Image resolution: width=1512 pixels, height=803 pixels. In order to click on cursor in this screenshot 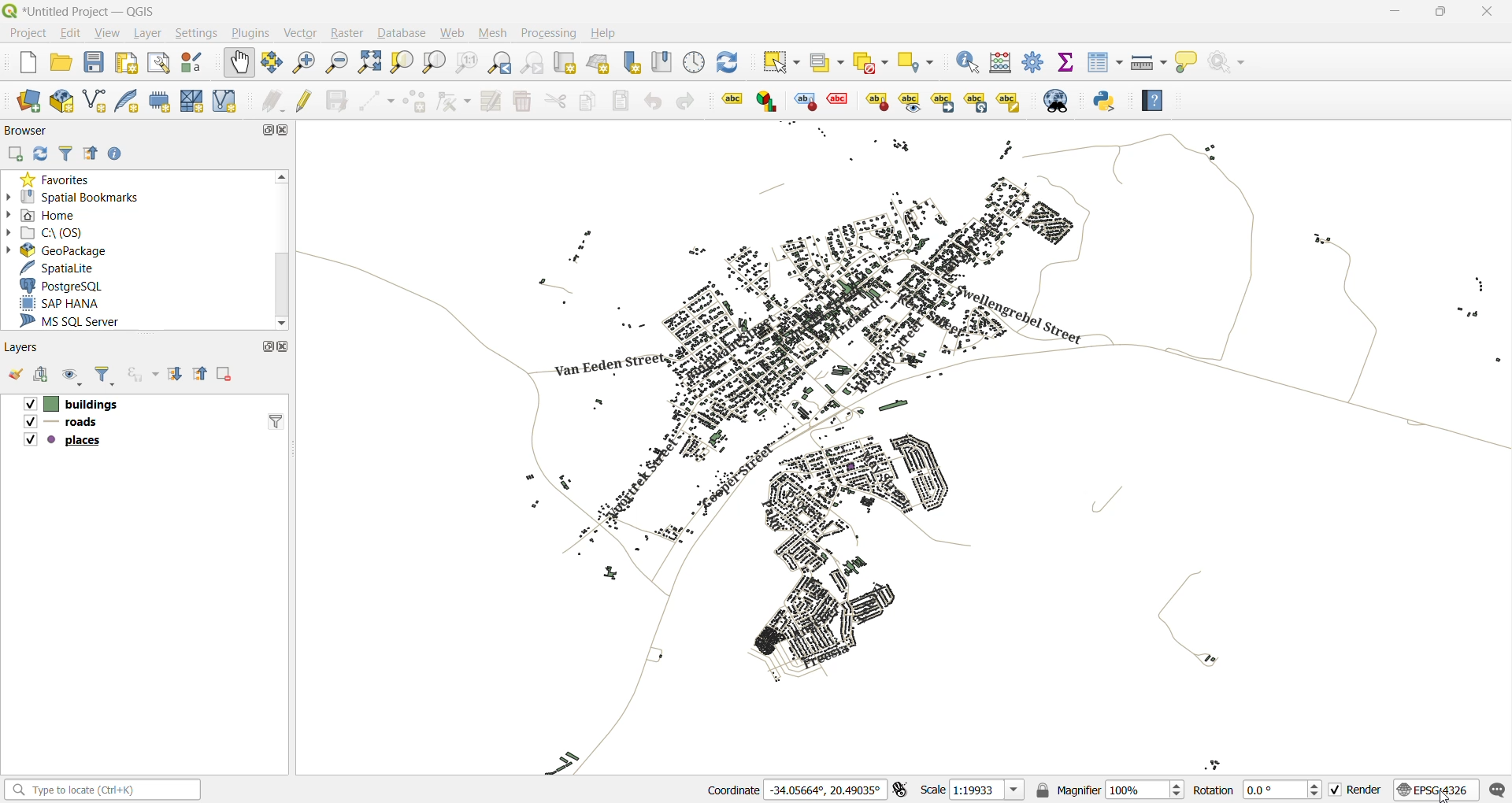, I will do `click(1446, 796)`.